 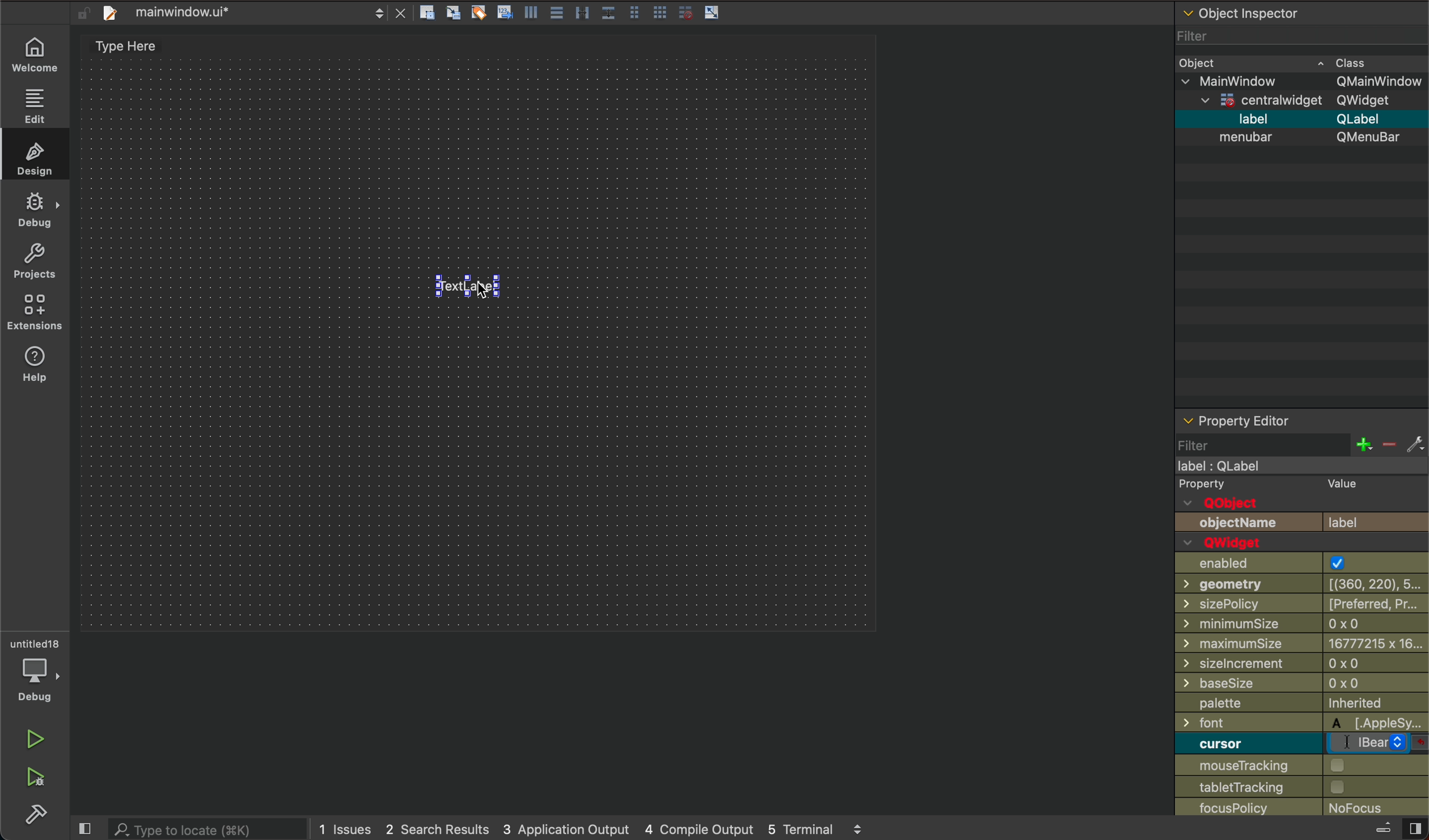 What do you see at coordinates (34, 313) in the screenshot?
I see `extensions` at bounding box center [34, 313].